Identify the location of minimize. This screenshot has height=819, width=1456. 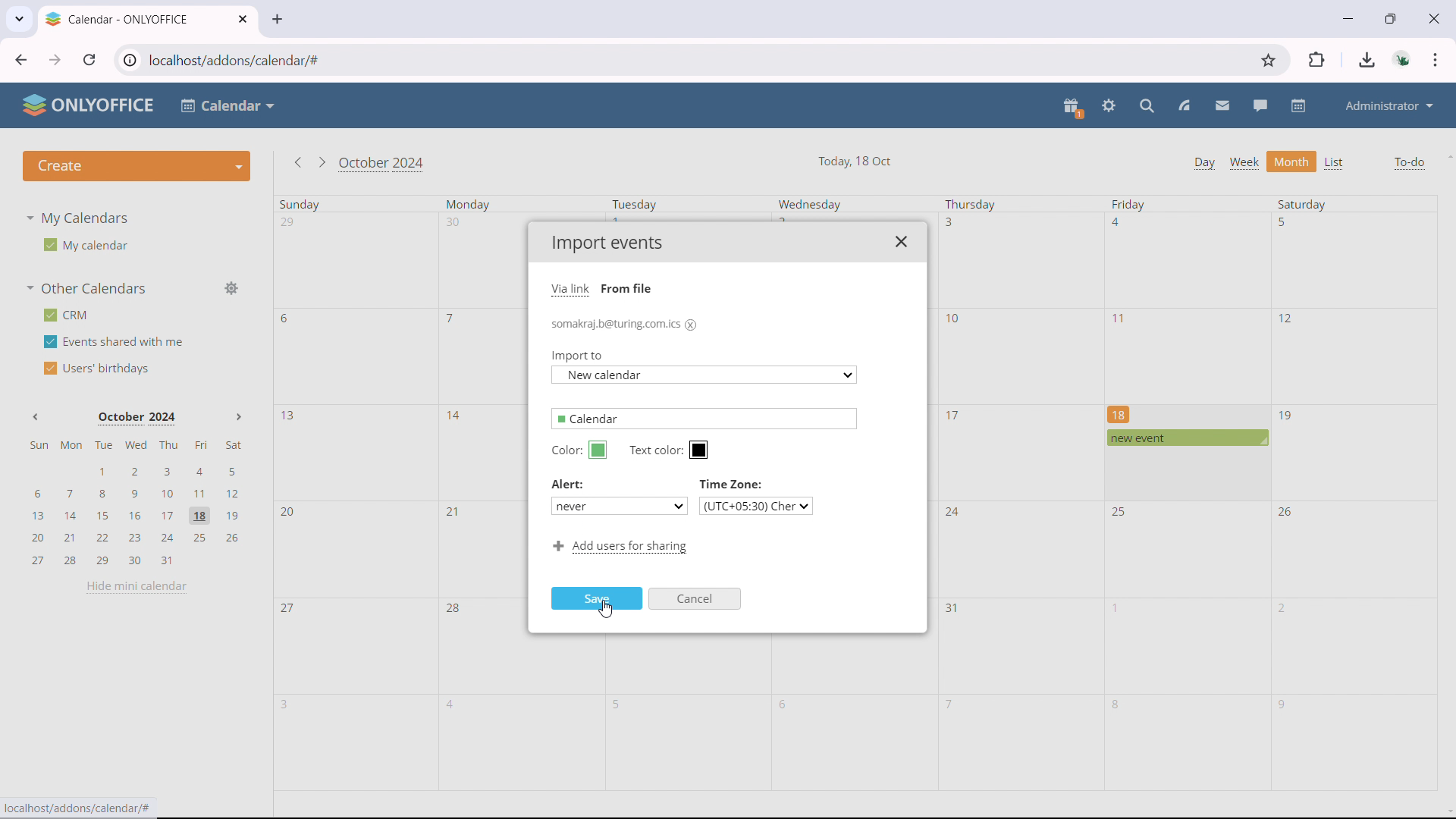
(1346, 17).